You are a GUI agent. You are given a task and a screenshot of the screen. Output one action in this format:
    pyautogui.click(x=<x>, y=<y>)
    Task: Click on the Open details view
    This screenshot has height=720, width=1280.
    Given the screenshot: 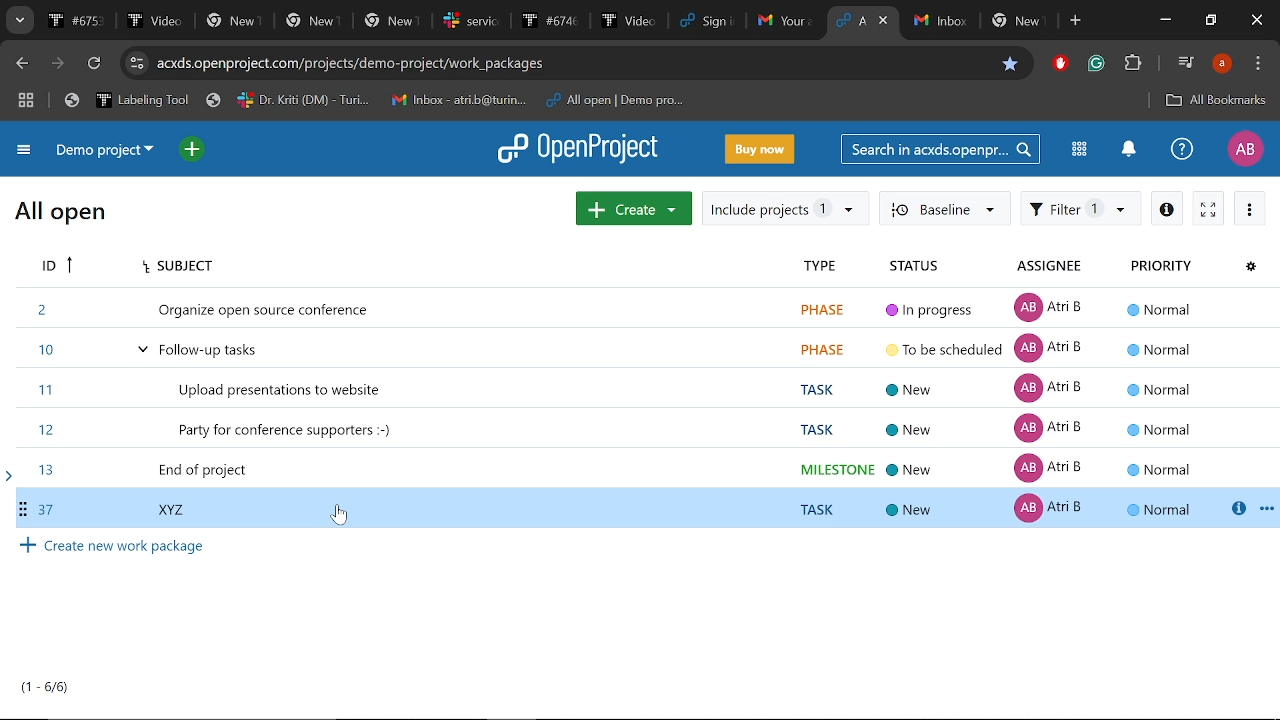 What is the action you would take?
    pyautogui.click(x=1166, y=207)
    